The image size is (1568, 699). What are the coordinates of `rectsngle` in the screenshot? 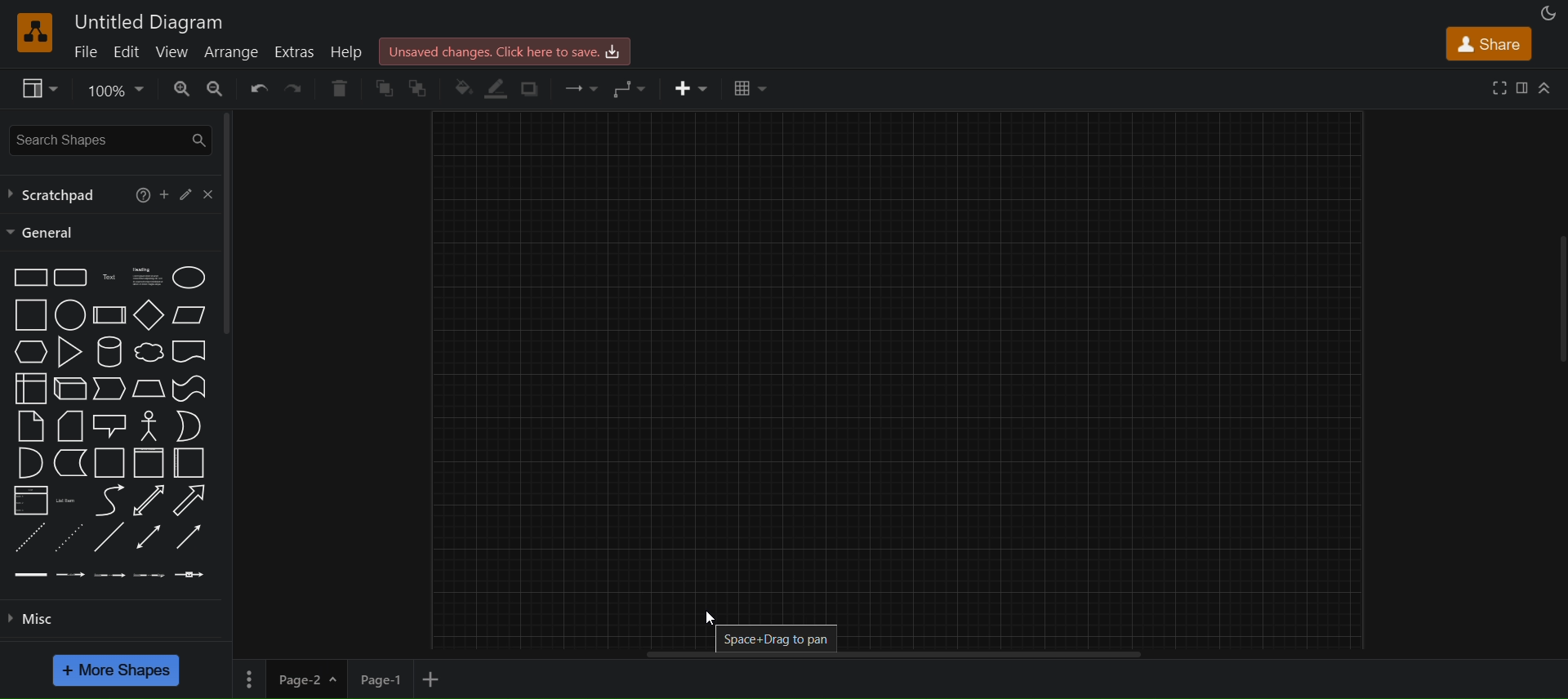 It's located at (29, 278).